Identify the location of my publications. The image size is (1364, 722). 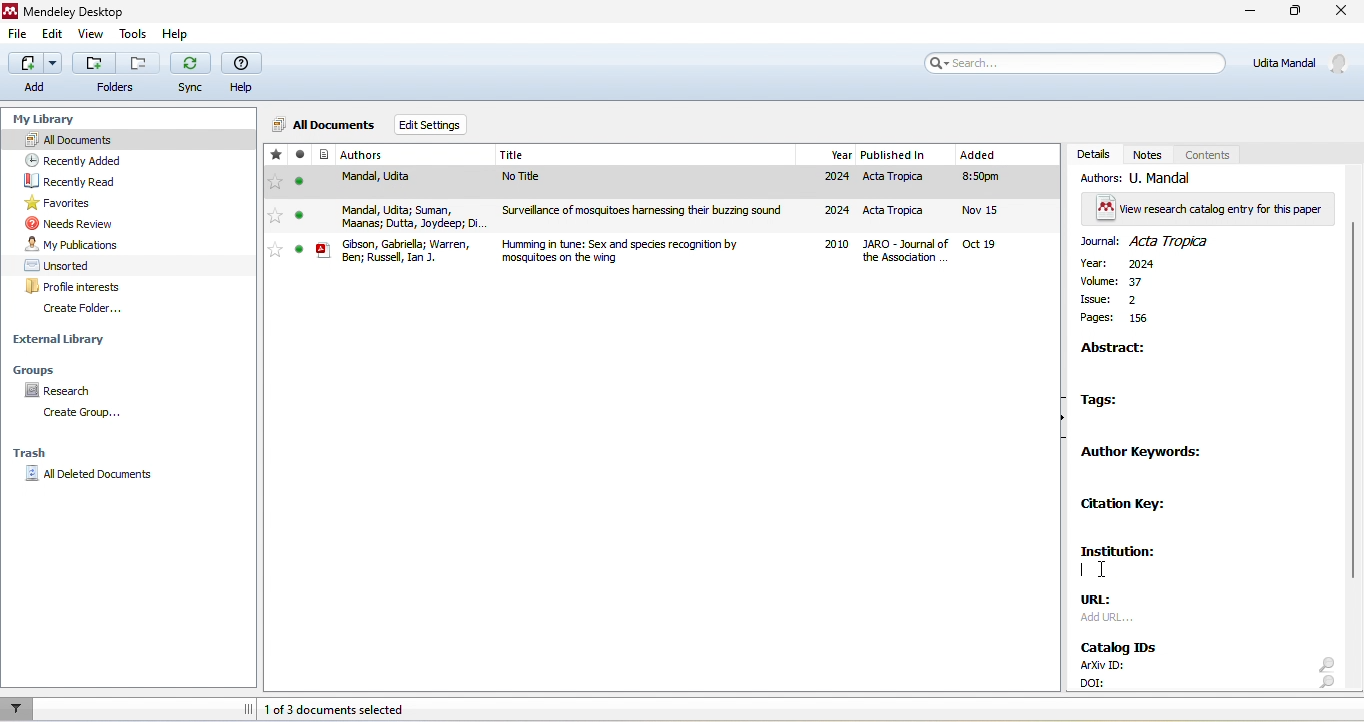
(75, 244).